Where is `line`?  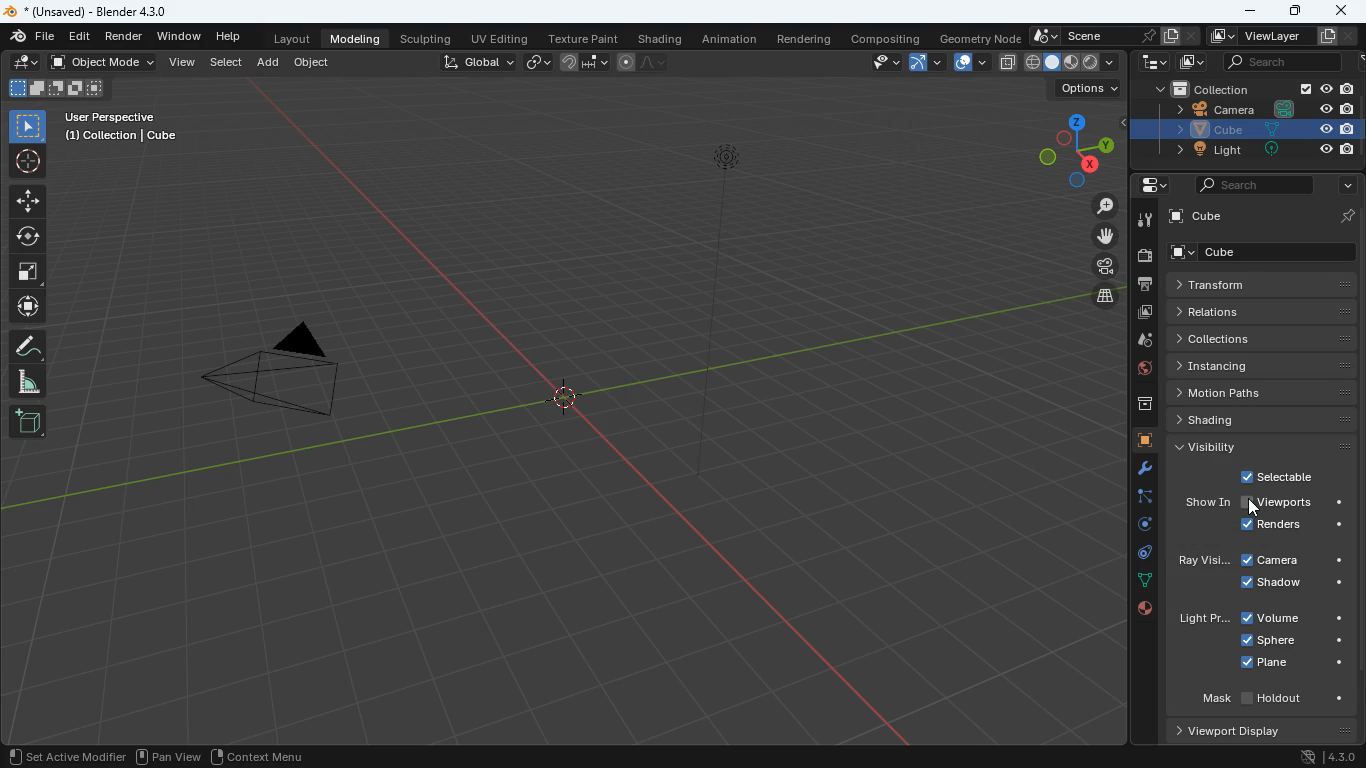
line is located at coordinates (642, 61).